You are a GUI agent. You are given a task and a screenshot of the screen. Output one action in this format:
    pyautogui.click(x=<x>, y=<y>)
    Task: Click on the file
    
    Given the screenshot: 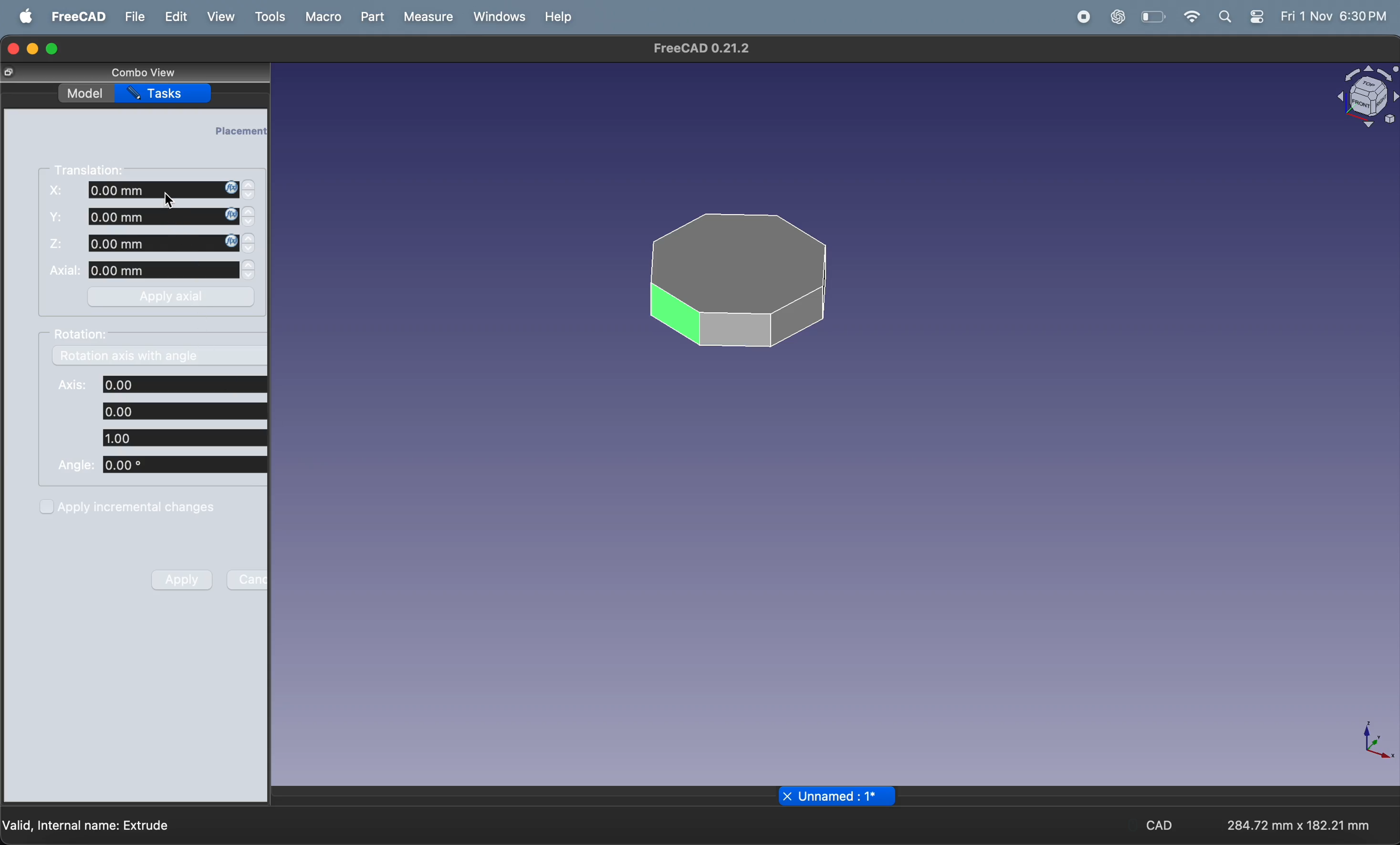 What is the action you would take?
    pyautogui.click(x=134, y=16)
    